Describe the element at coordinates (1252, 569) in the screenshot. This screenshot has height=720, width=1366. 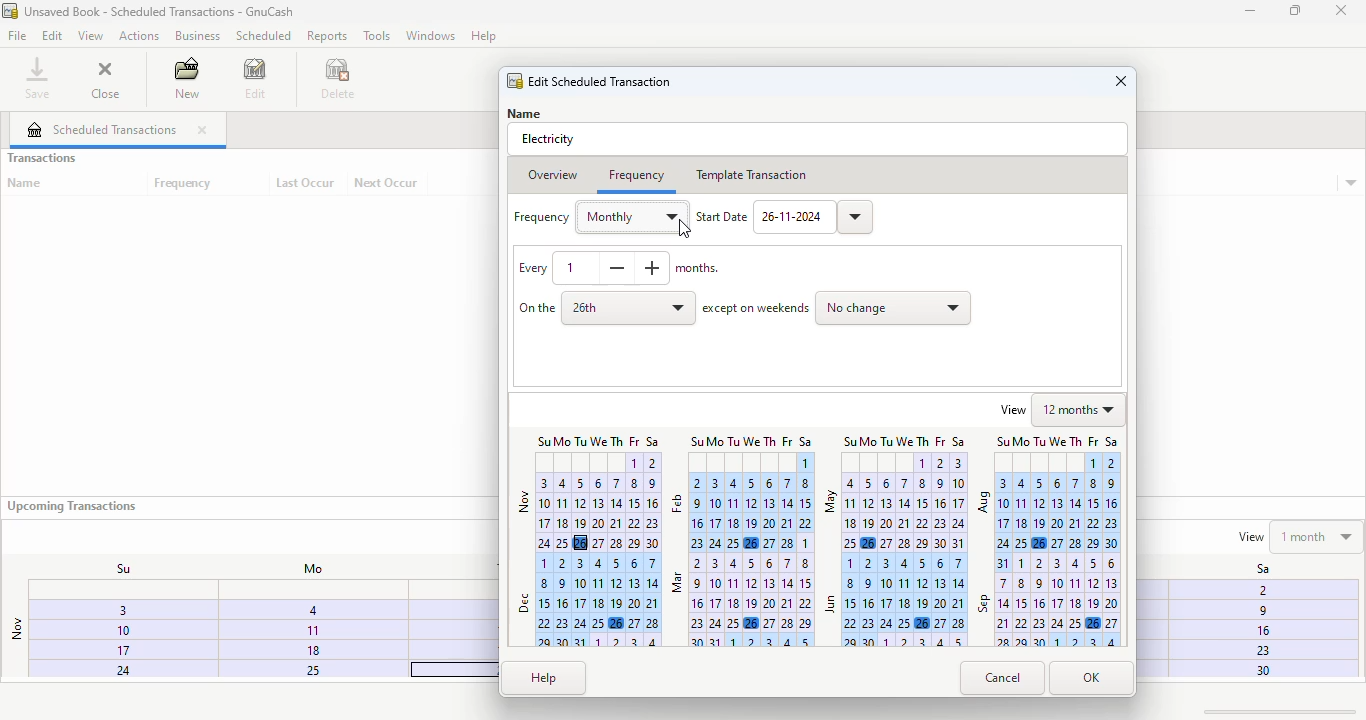
I see `Sa` at that location.